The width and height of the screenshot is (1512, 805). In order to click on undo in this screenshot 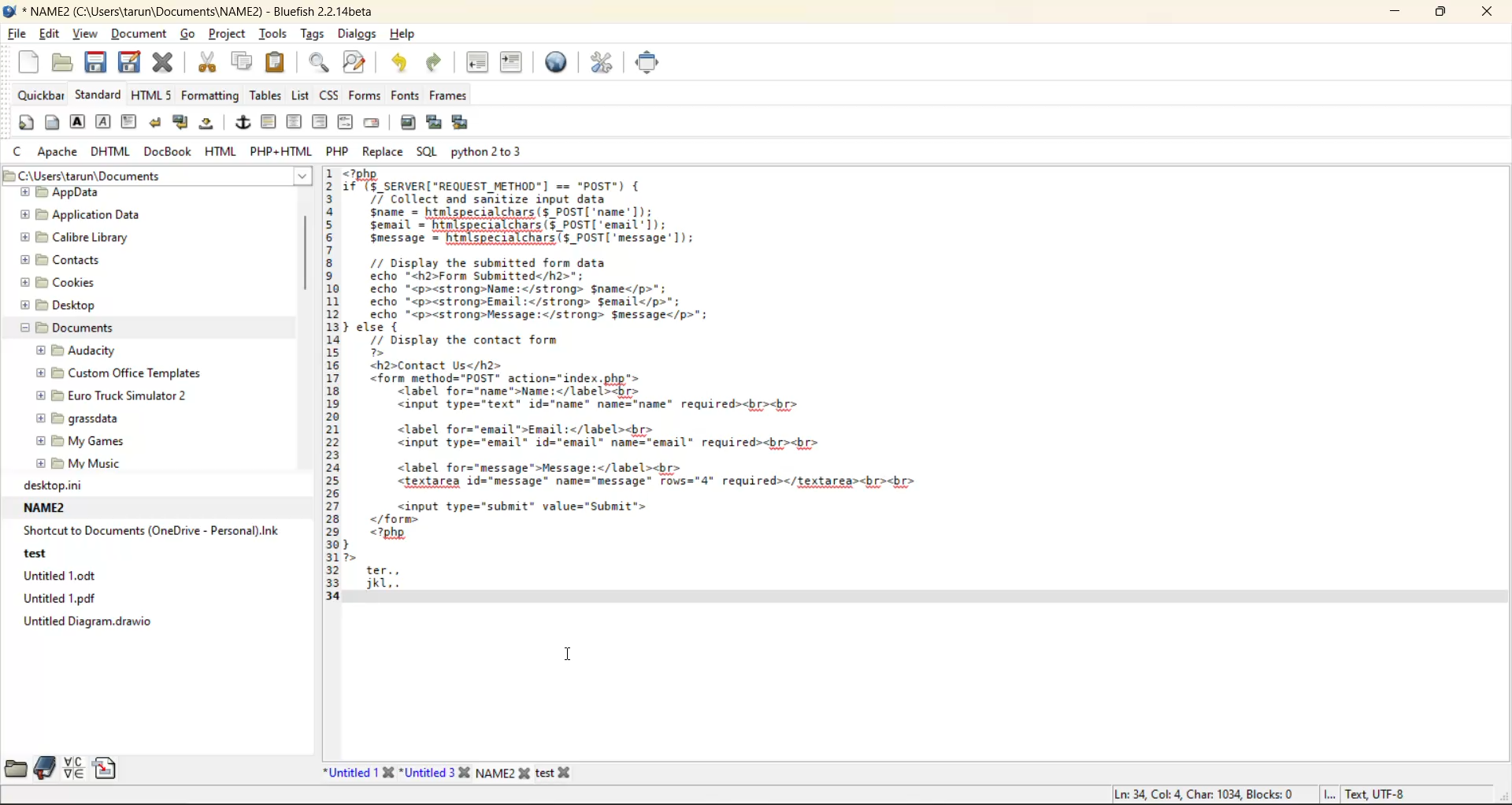, I will do `click(402, 63)`.